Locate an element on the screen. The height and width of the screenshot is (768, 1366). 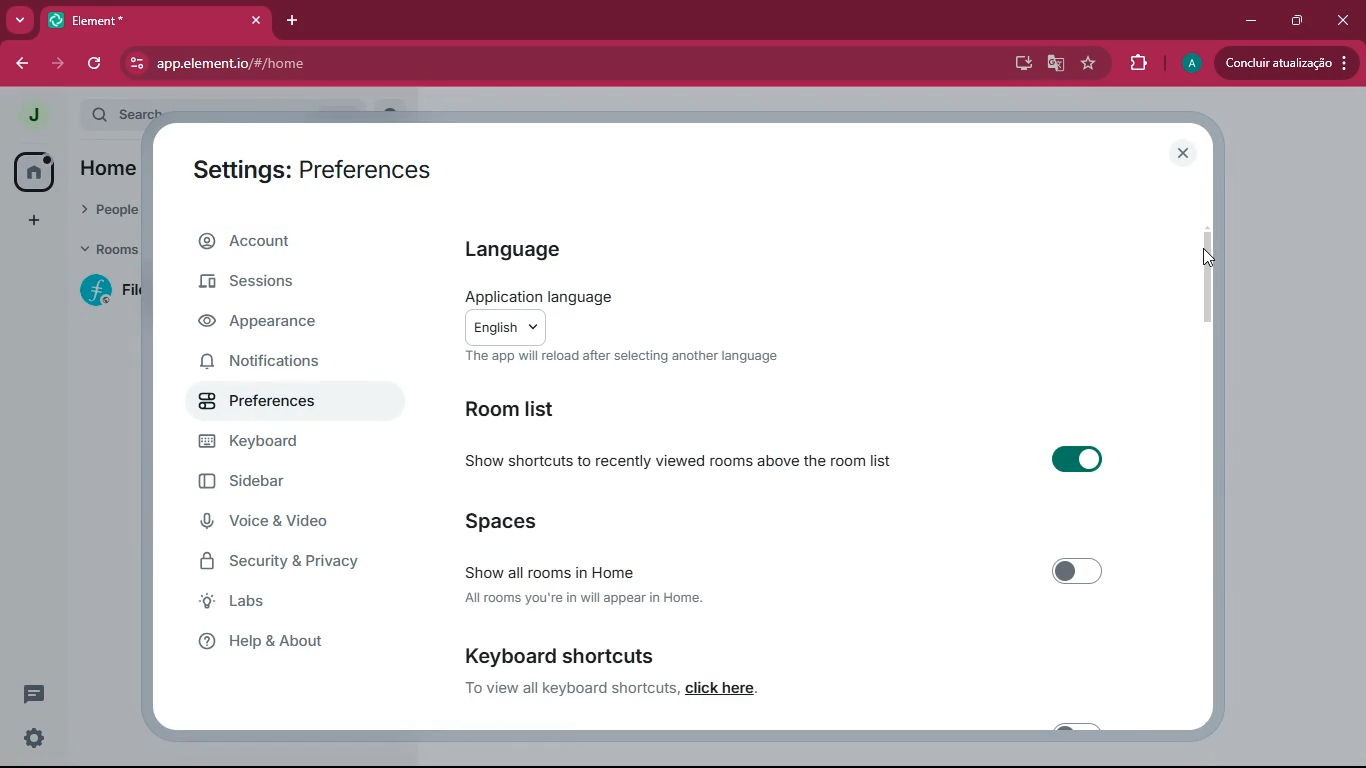
notifications is located at coordinates (282, 362).